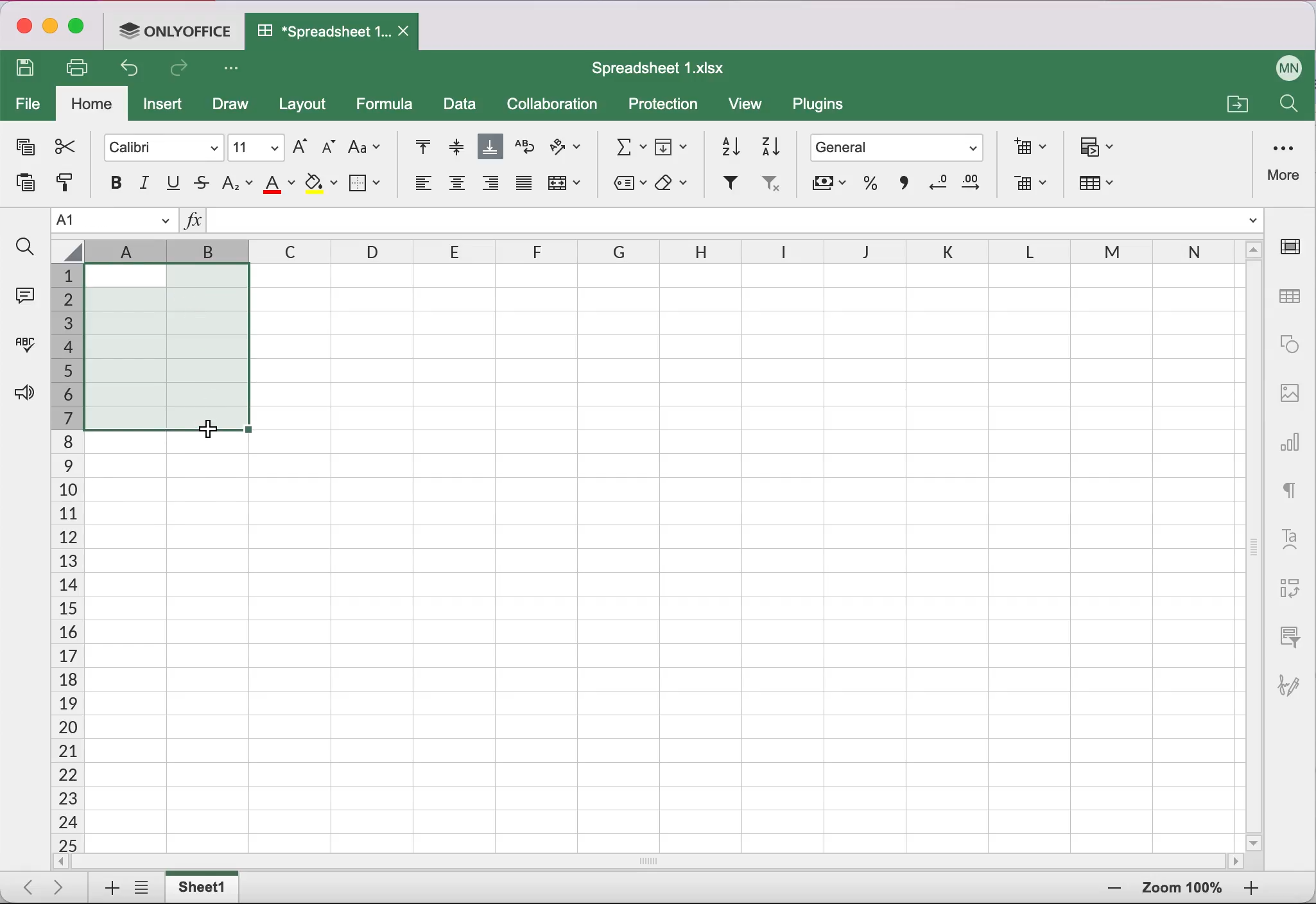  Describe the element at coordinates (365, 146) in the screenshot. I see `change case` at that location.